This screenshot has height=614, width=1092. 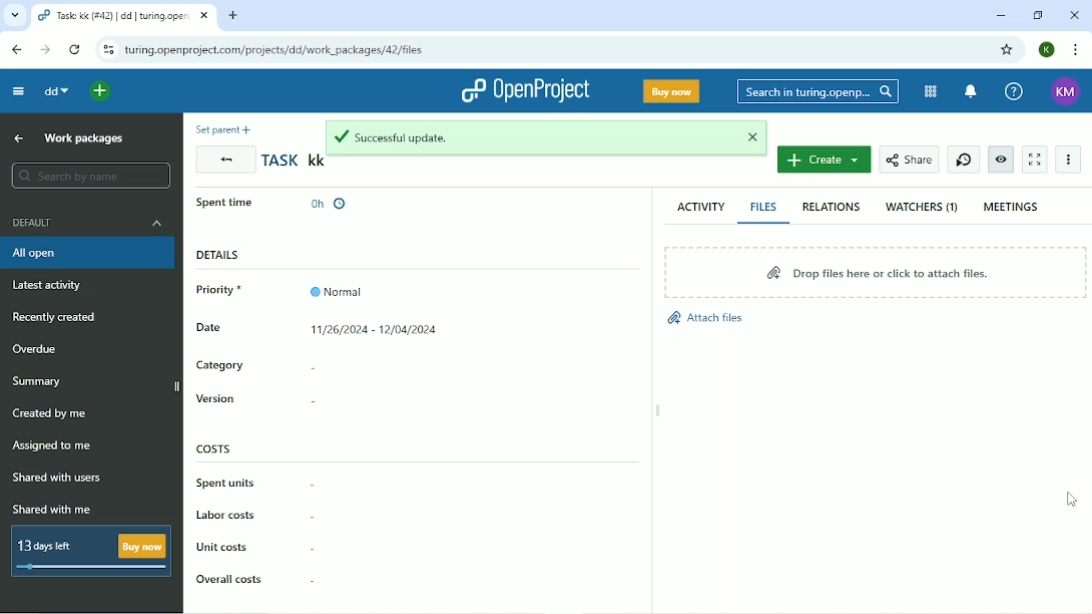 I want to click on RELATIONS, so click(x=829, y=206).